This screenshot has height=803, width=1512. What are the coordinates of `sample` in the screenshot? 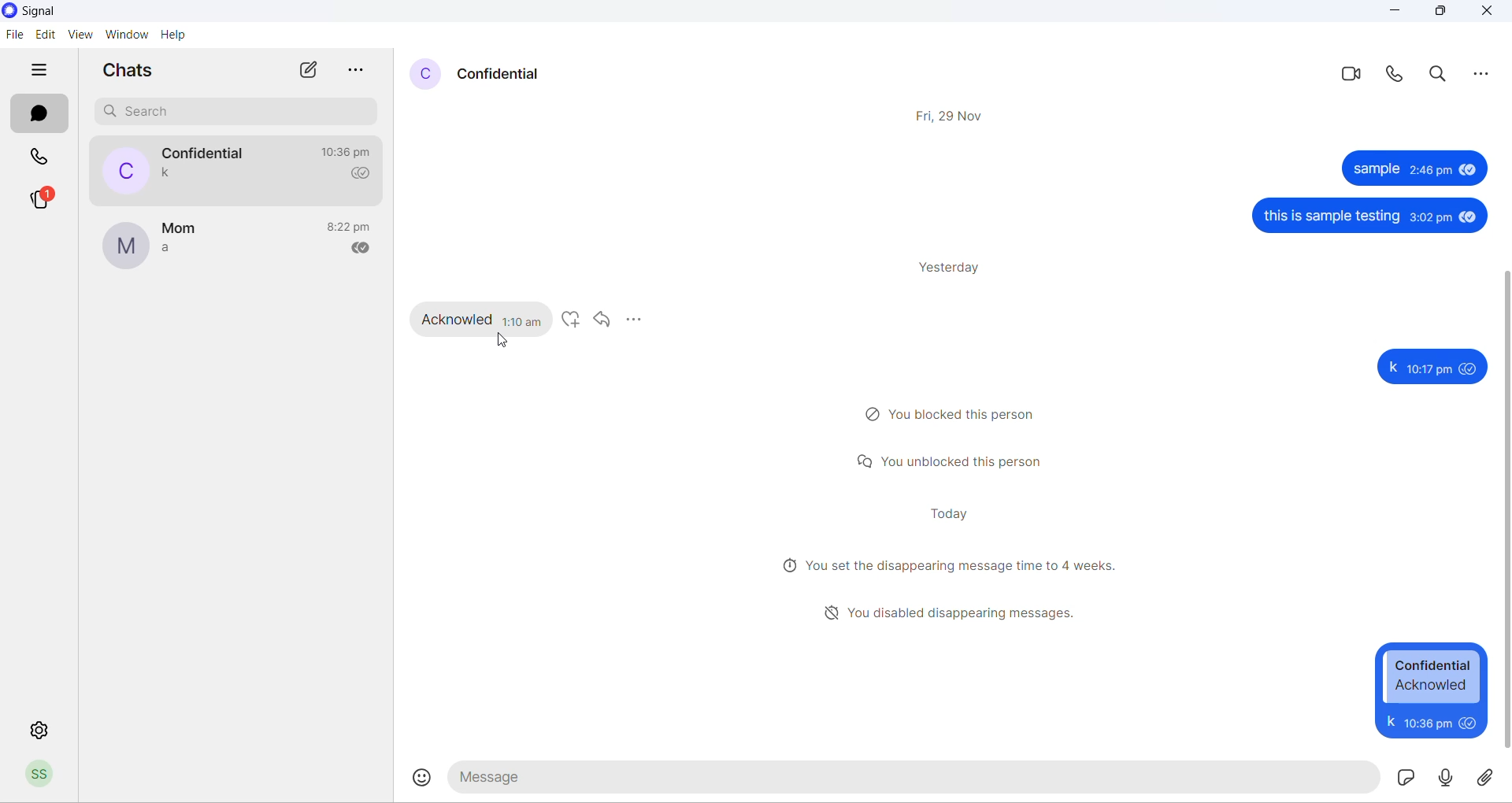 It's located at (1373, 172).